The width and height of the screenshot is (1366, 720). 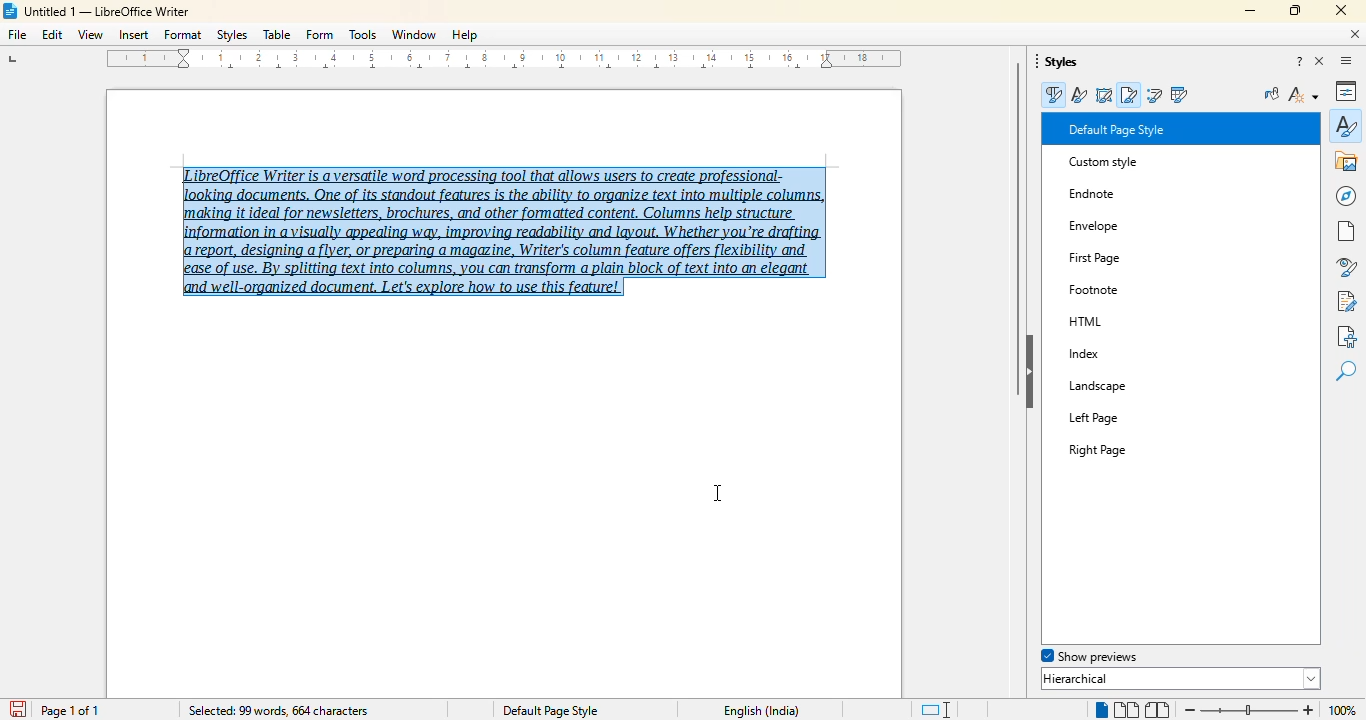 I want to click on table, so click(x=277, y=35).